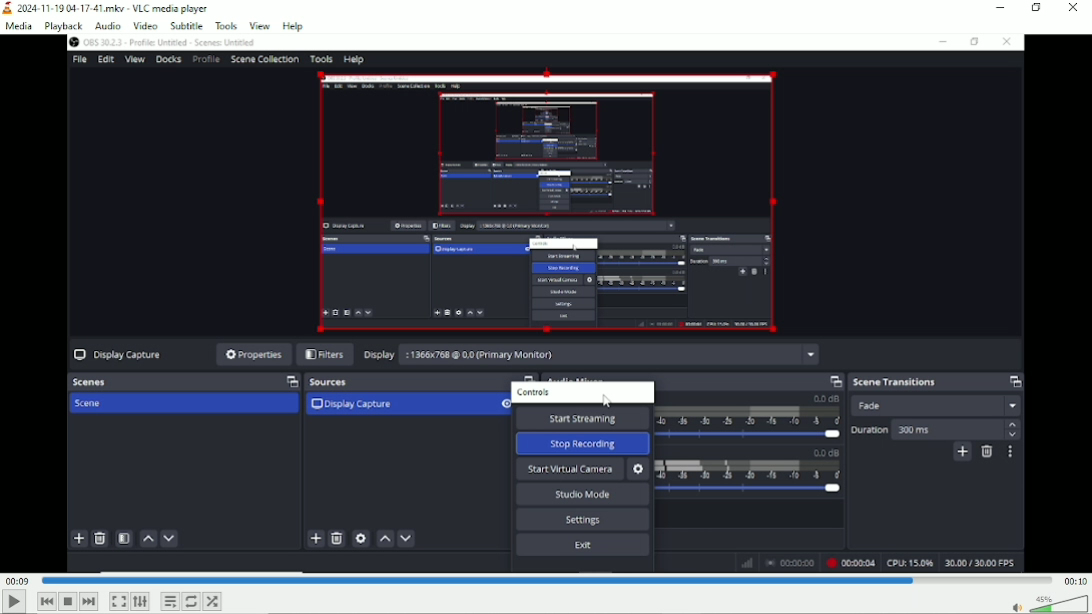 Image resolution: width=1092 pixels, height=614 pixels. Describe the element at coordinates (14, 602) in the screenshot. I see `Play` at that location.